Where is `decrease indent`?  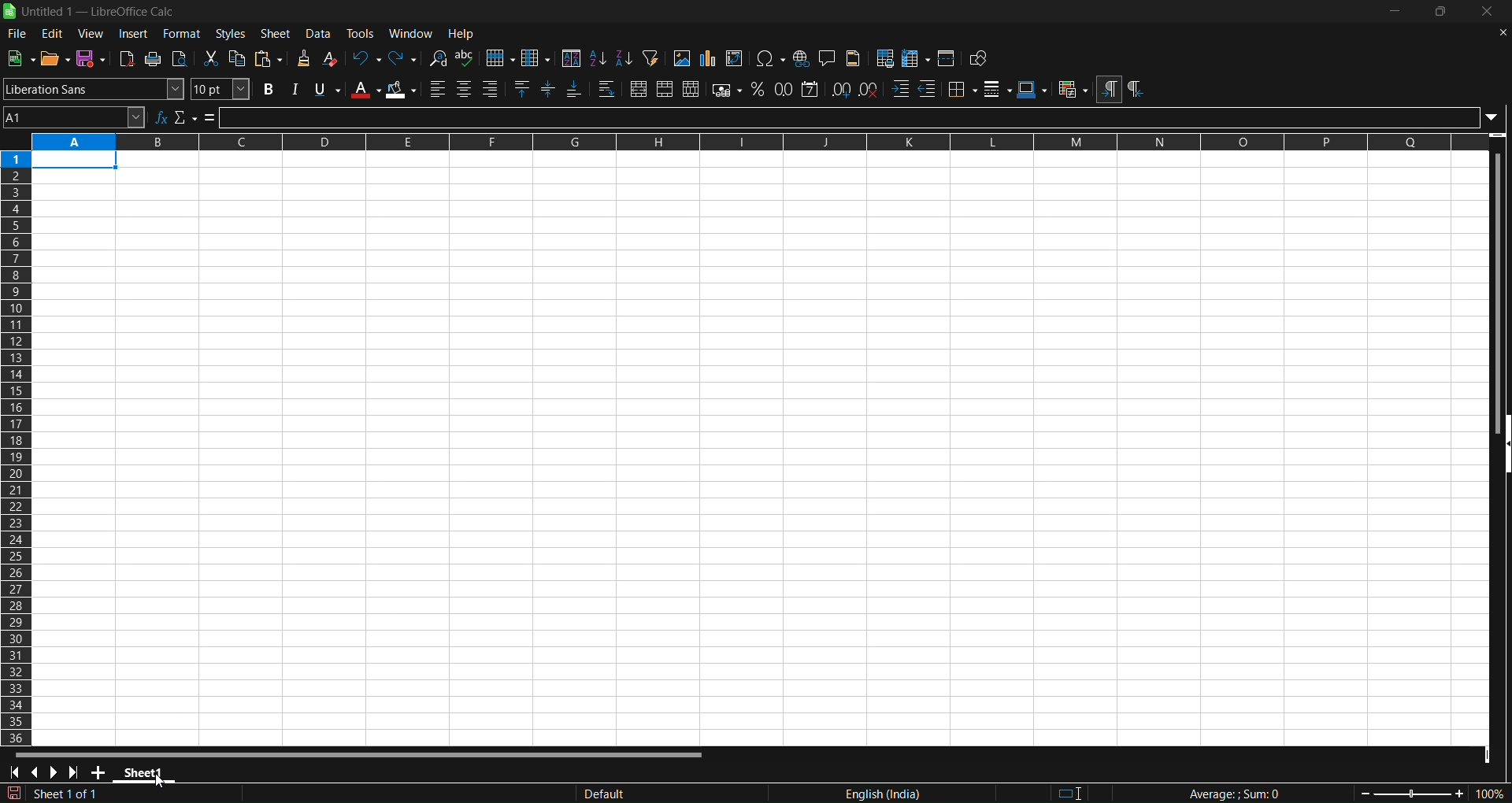
decrease indent is located at coordinates (928, 89).